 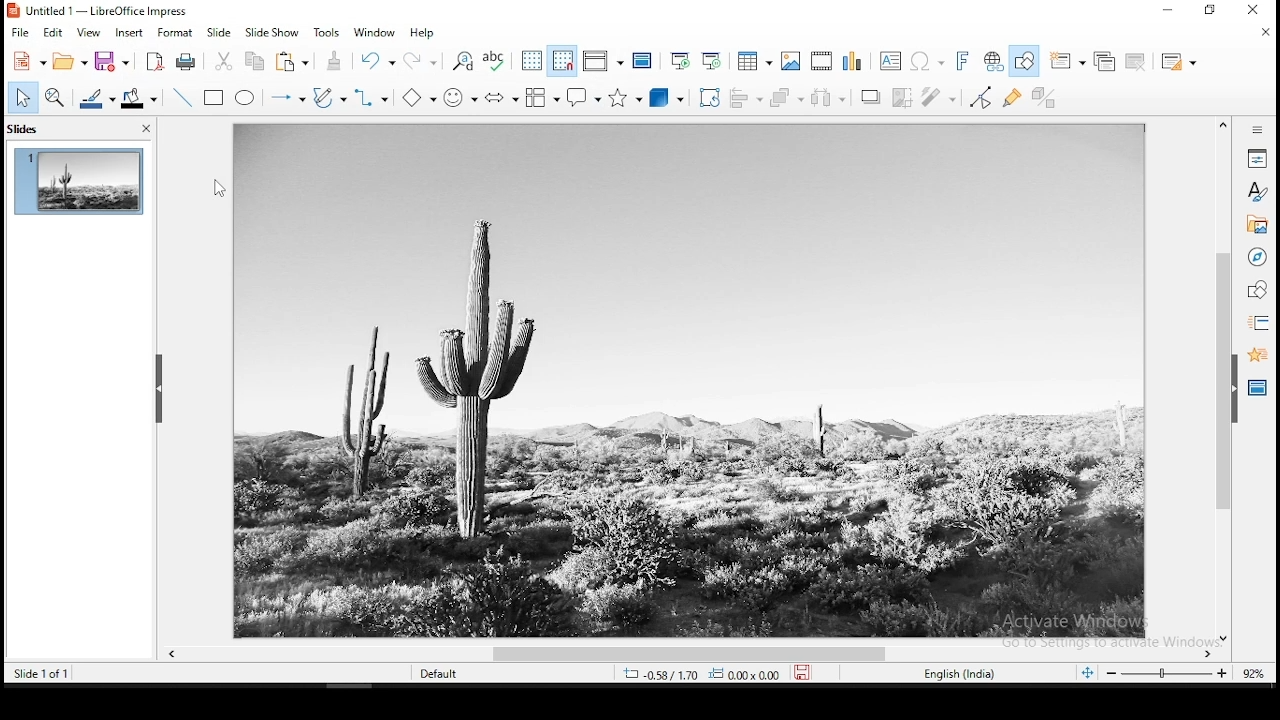 I want to click on close, so click(x=142, y=130).